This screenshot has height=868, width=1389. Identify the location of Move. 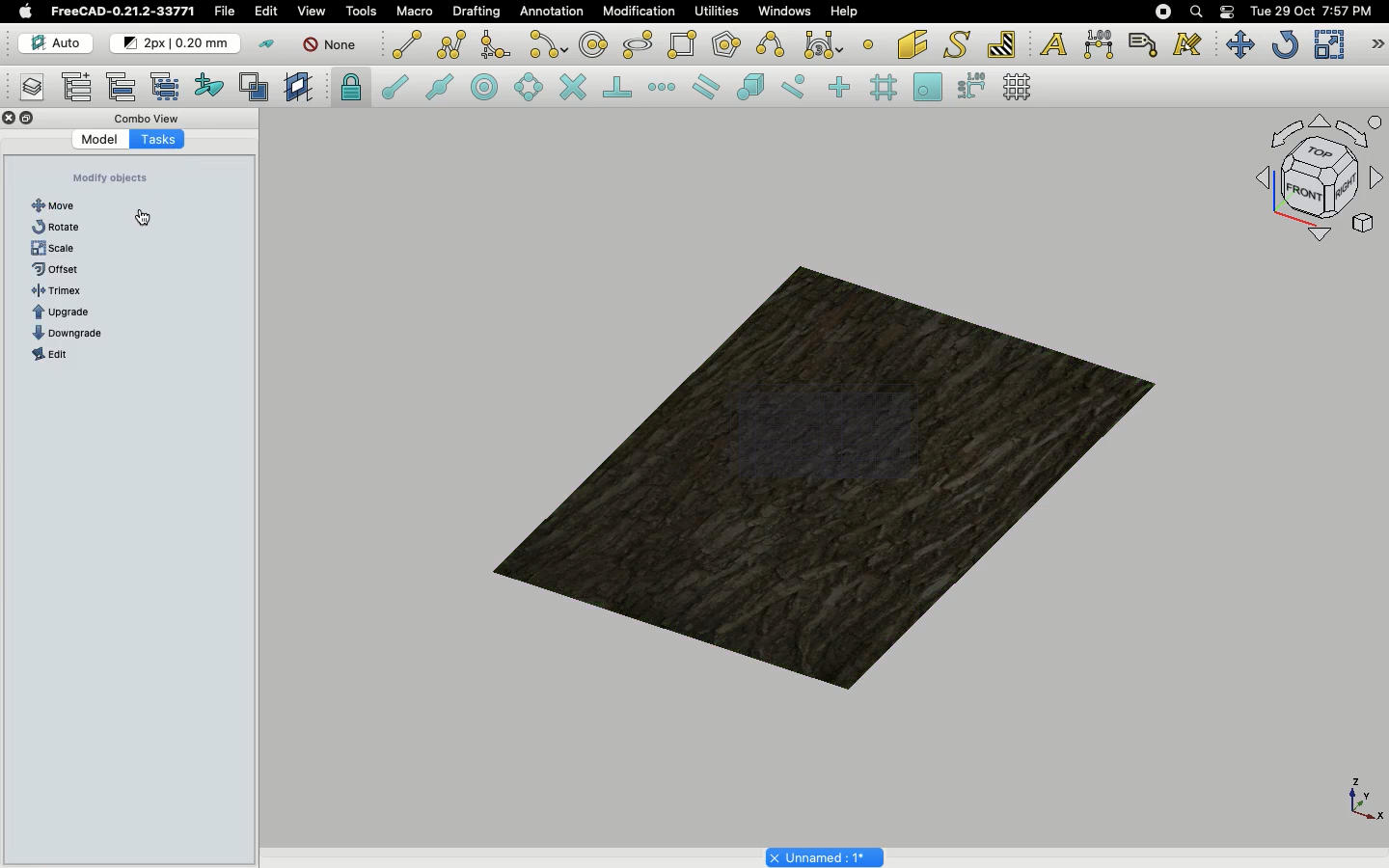
(1239, 44).